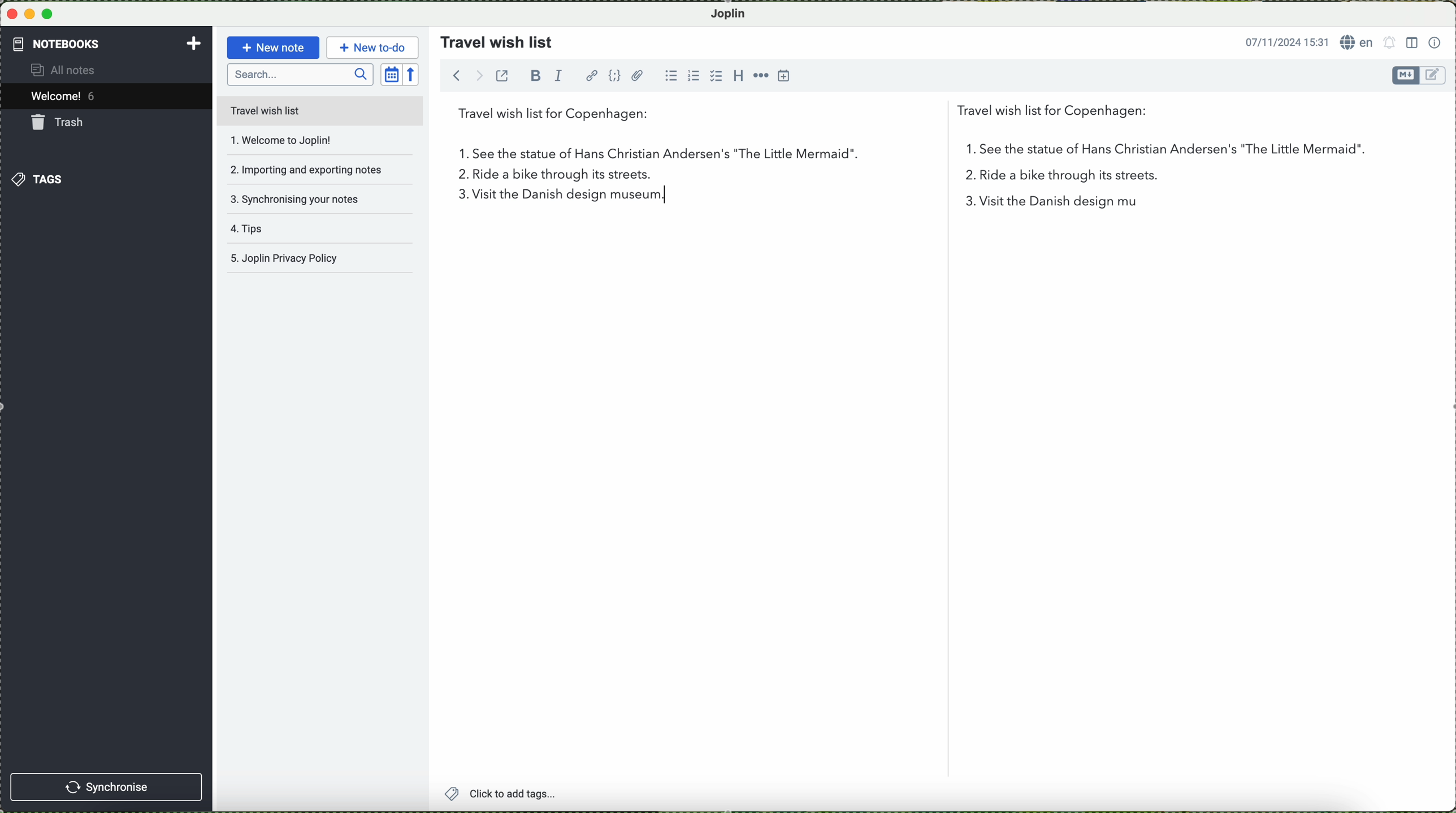 The image size is (1456, 813). What do you see at coordinates (302, 141) in the screenshot?
I see `welcome to joplin` at bounding box center [302, 141].